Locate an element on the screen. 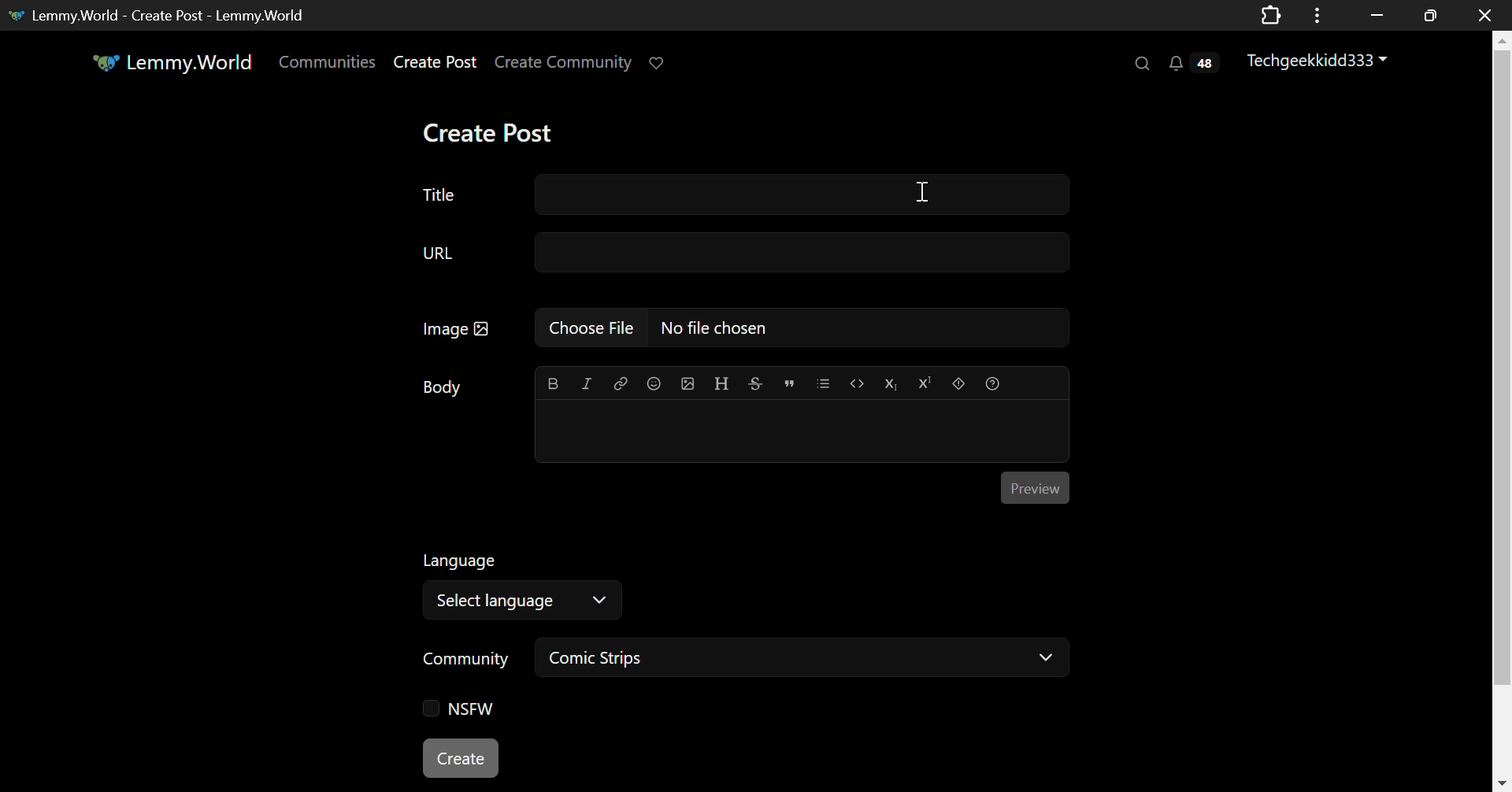 The height and width of the screenshot is (792, 1512). Notifications is located at coordinates (1191, 65).